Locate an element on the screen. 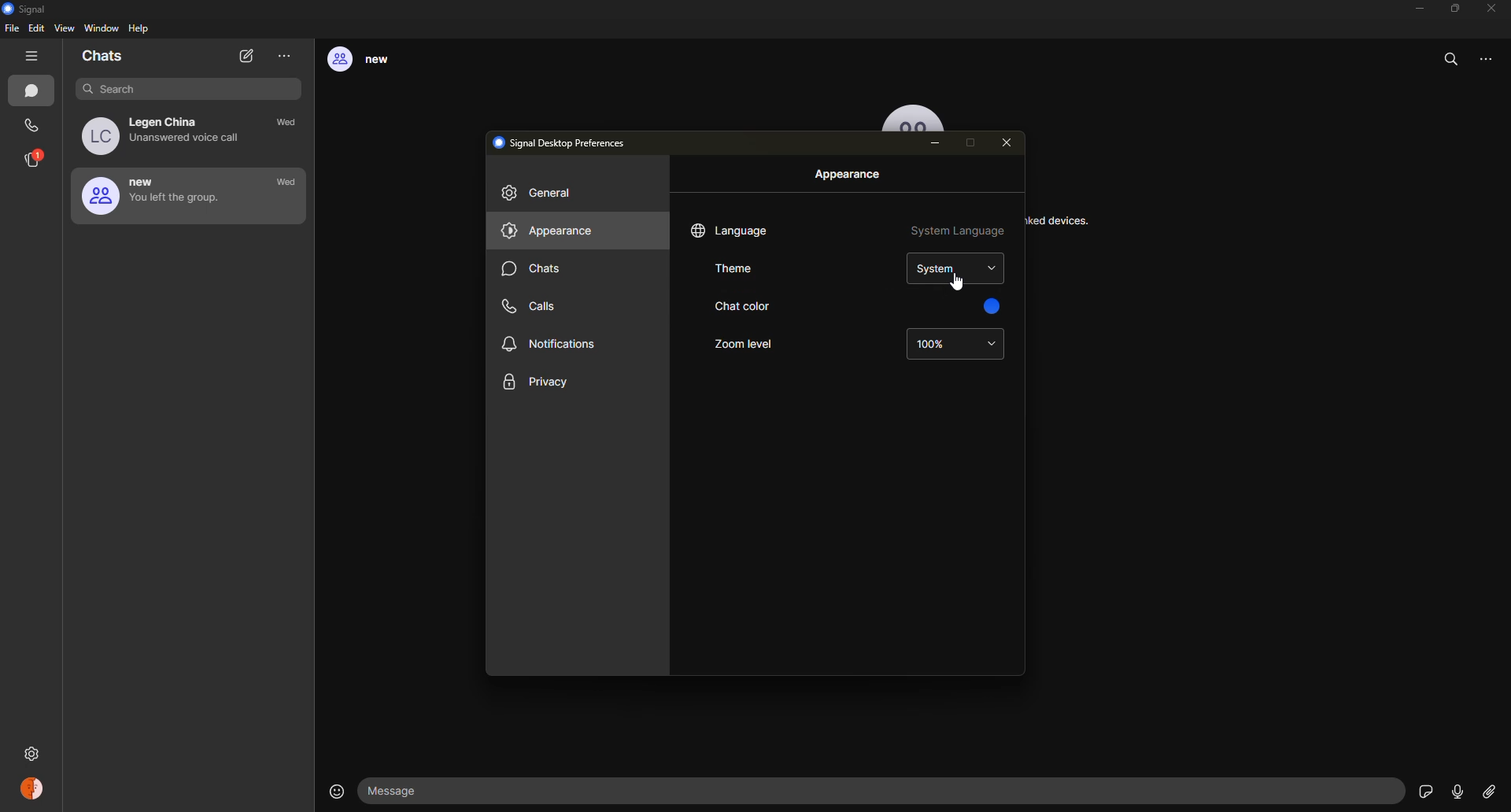 The height and width of the screenshot is (812, 1511). general is located at coordinates (543, 195).